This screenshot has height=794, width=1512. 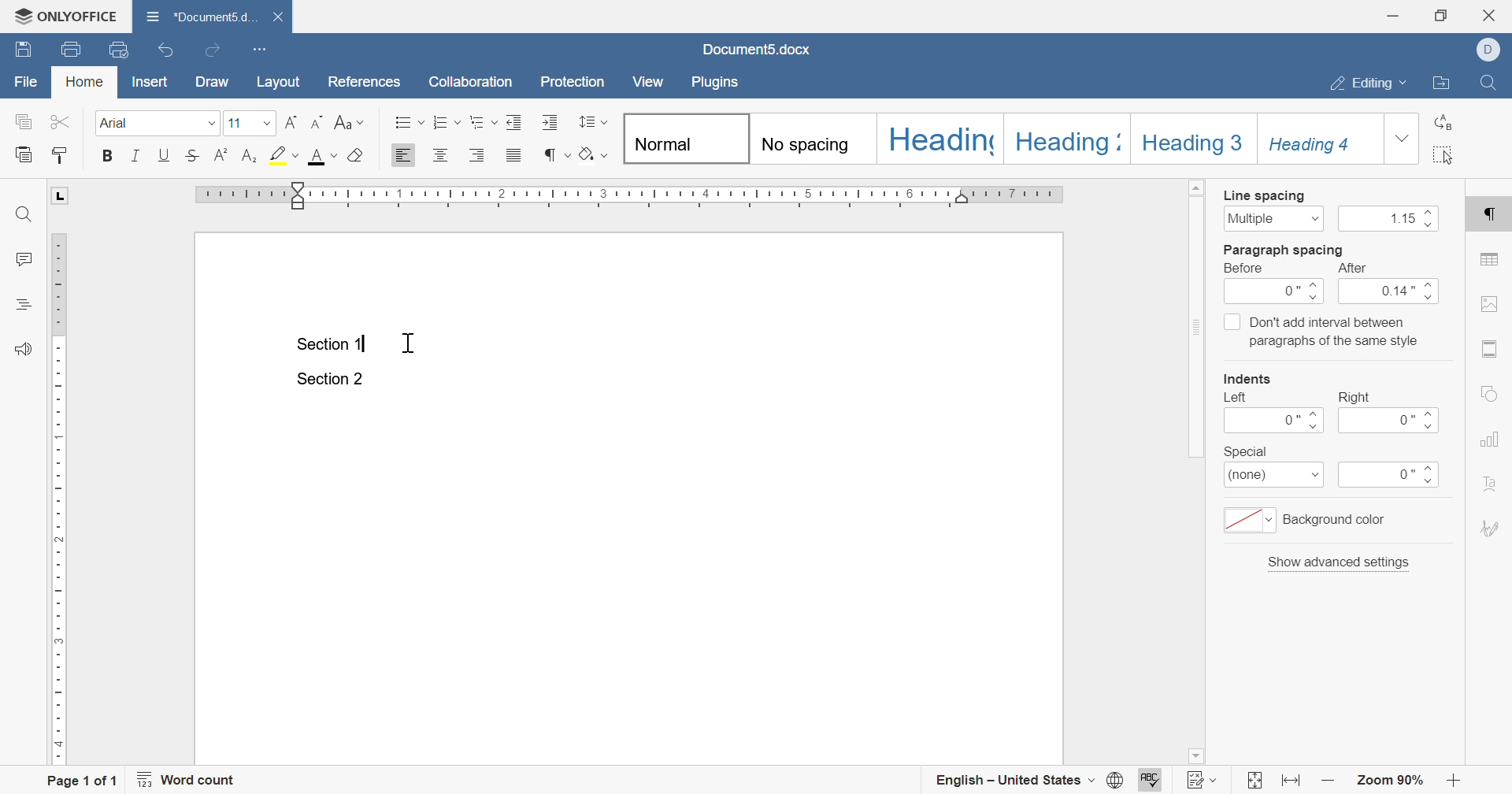 I want to click on line spacing, so click(x=591, y=121).